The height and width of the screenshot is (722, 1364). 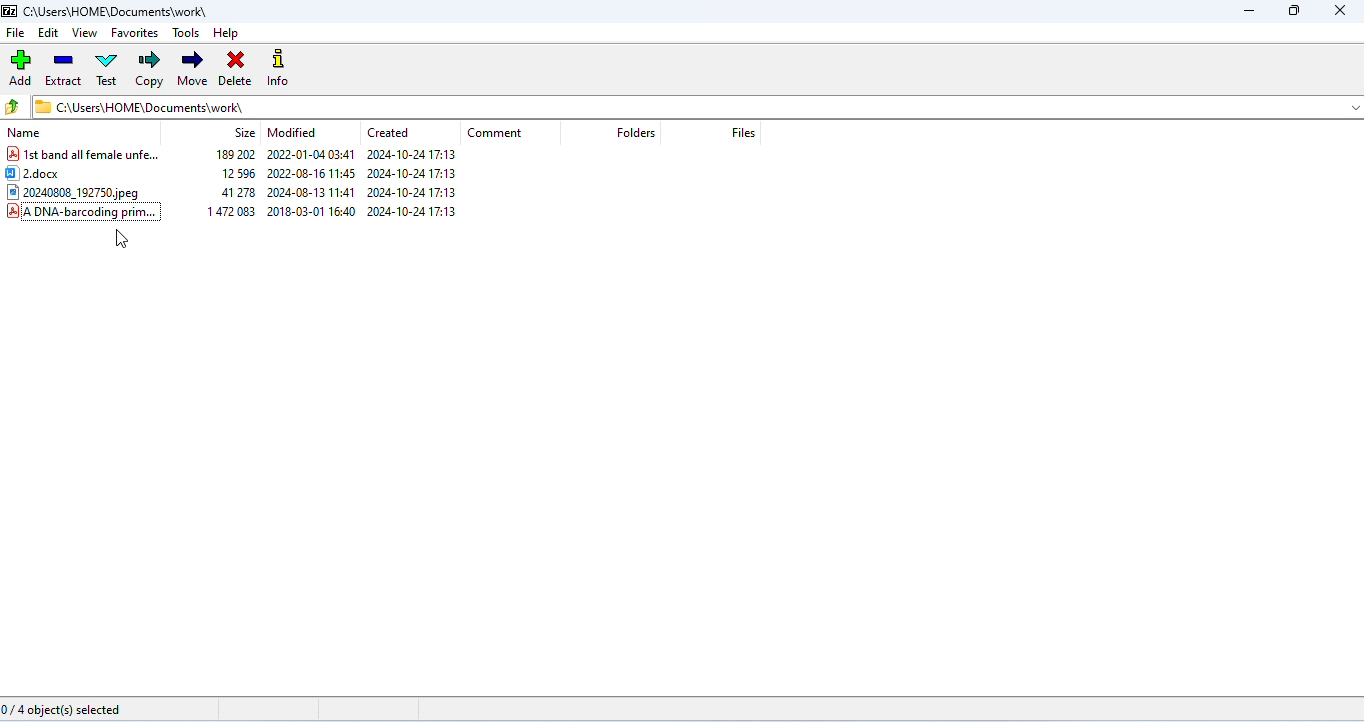 What do you see at coordinates (744, 133) in the screenshot?
I see `files` at bounding box center [744, 133].